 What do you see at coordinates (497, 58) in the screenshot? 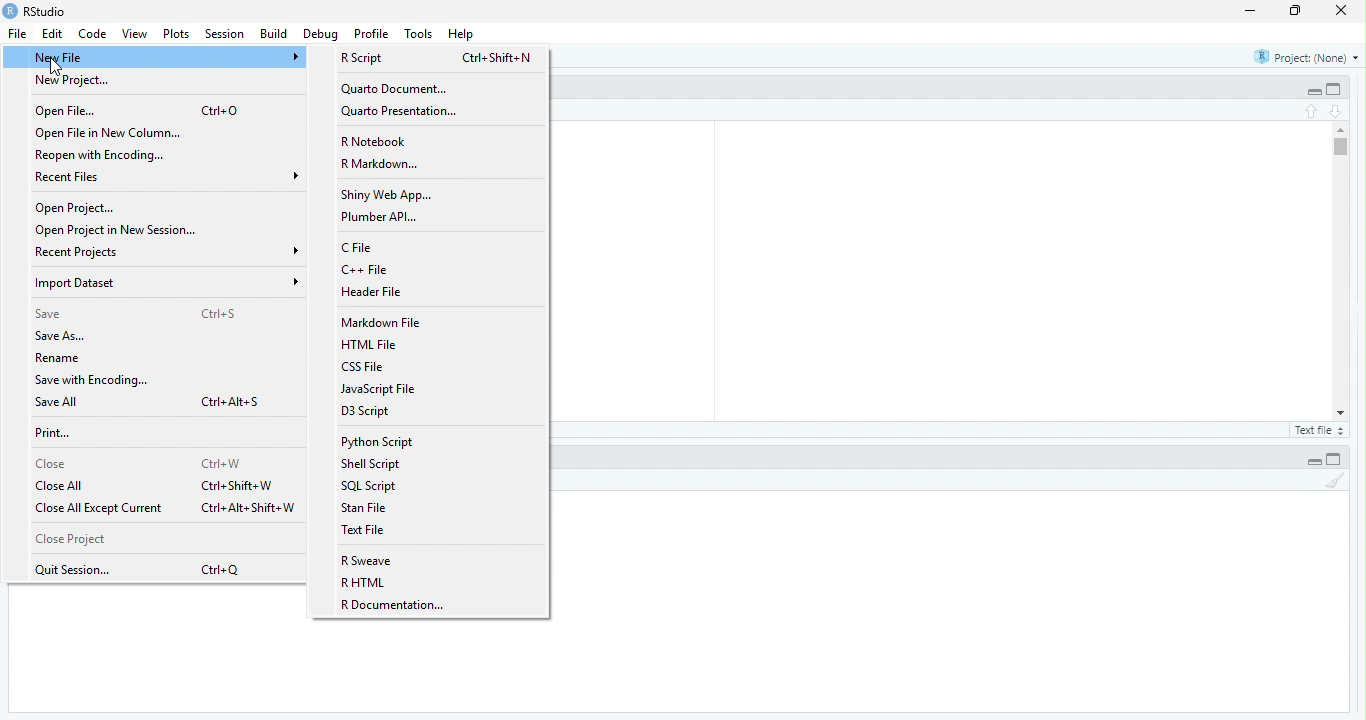
I see `Ctrl+Shift+N` at bounding box center [497, 58].